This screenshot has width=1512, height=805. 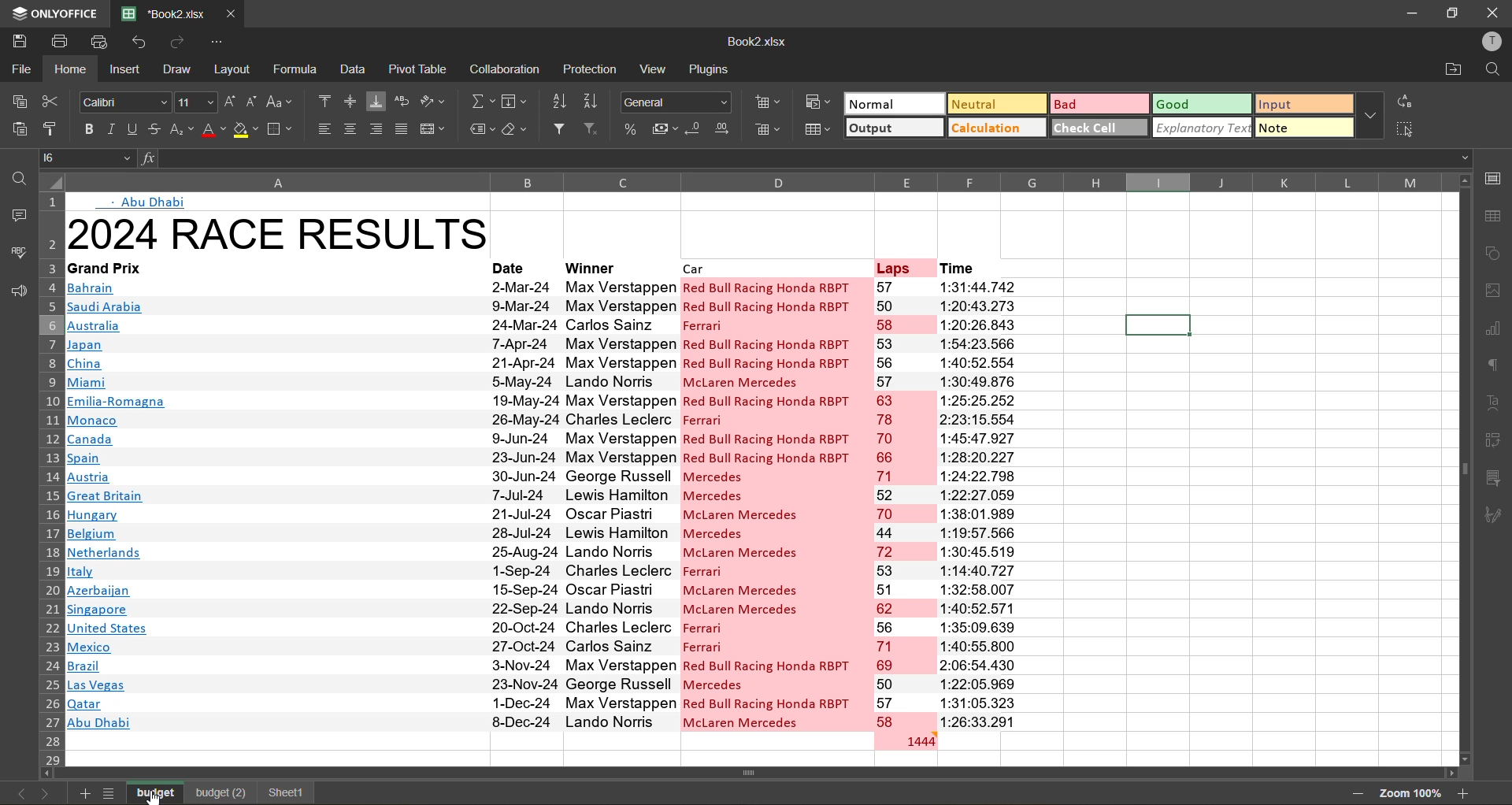 I want to click on sheet list, so click(x=112, y=793).